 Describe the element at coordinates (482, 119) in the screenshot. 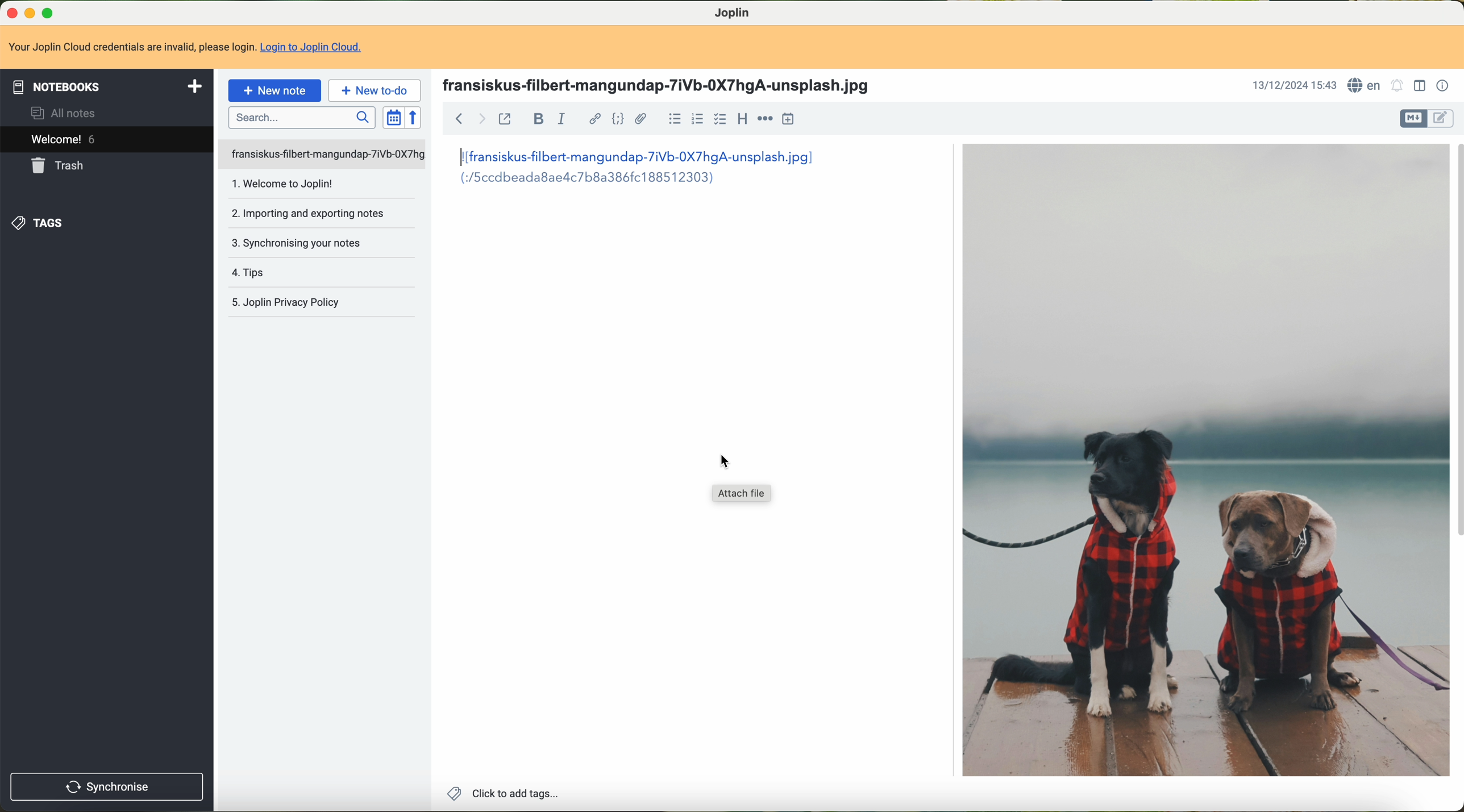

I see `navigate foward` at that location.